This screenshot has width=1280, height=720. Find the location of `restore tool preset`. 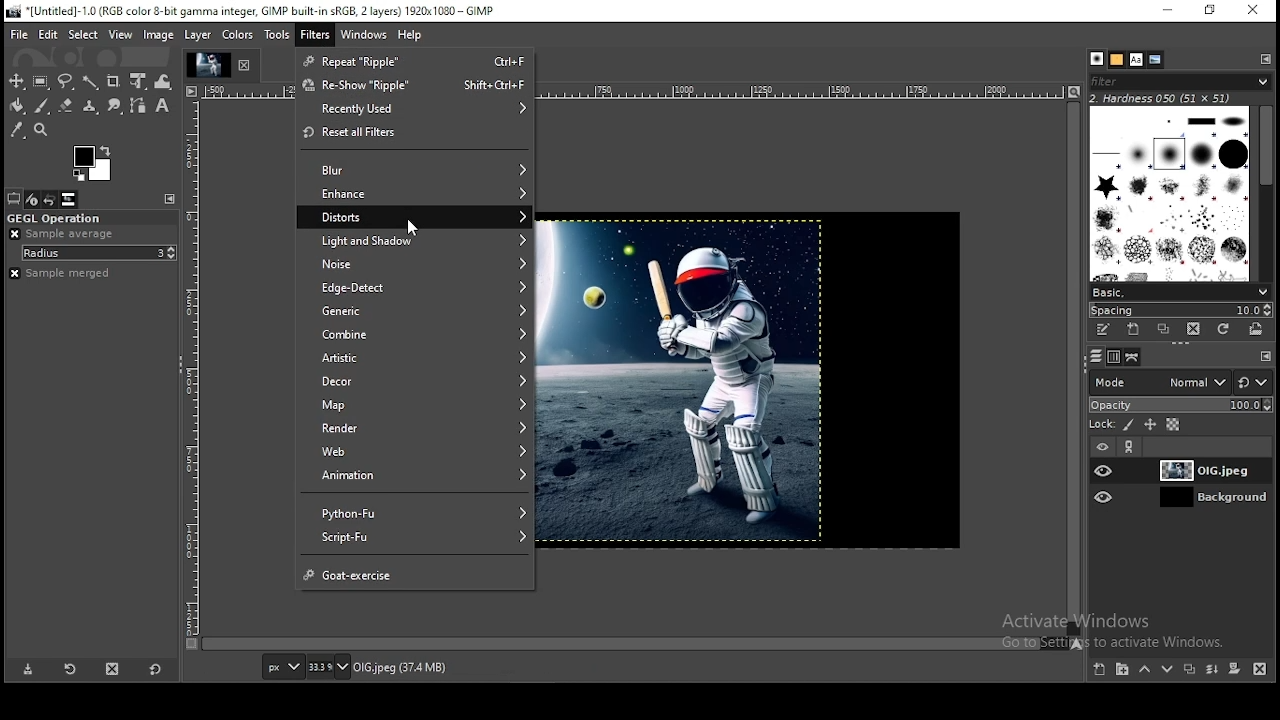

restore tool preset is located at coordinates (74, 672).